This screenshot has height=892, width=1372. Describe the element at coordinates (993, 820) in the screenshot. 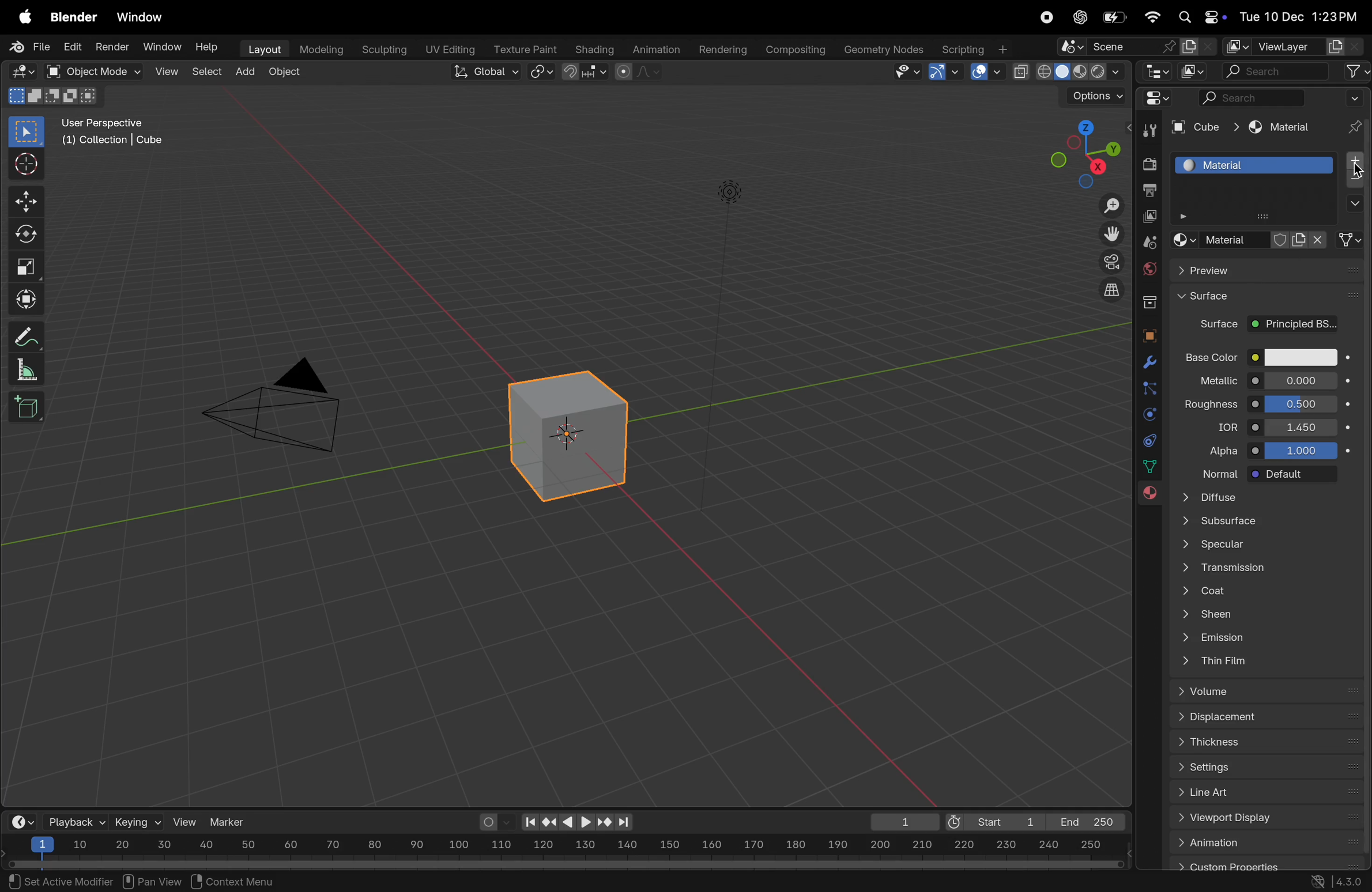

I see `Start 1` at that location.